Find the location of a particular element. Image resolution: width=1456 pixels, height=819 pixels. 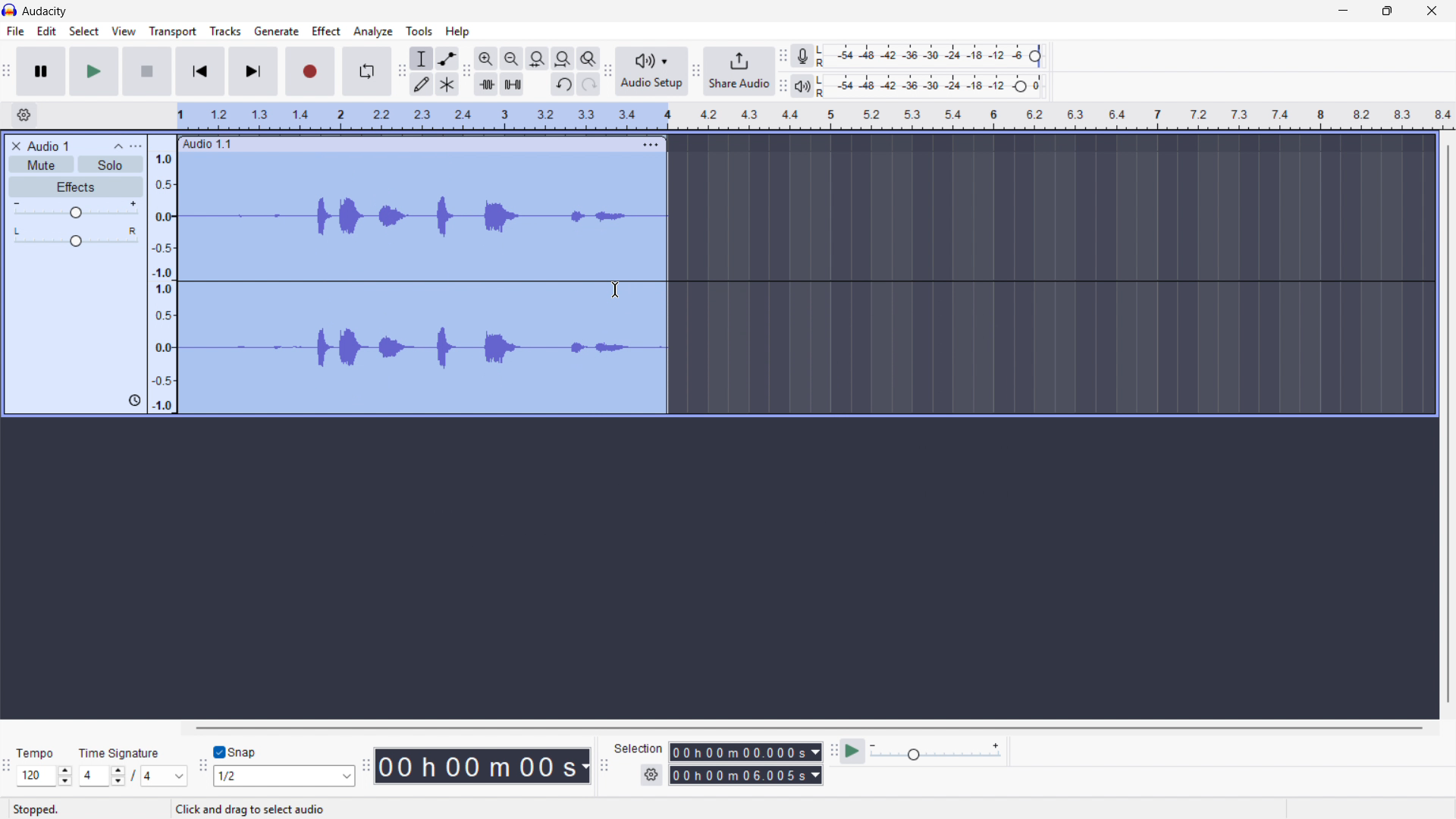

Enable loop  is located at coordinates (367, 71).